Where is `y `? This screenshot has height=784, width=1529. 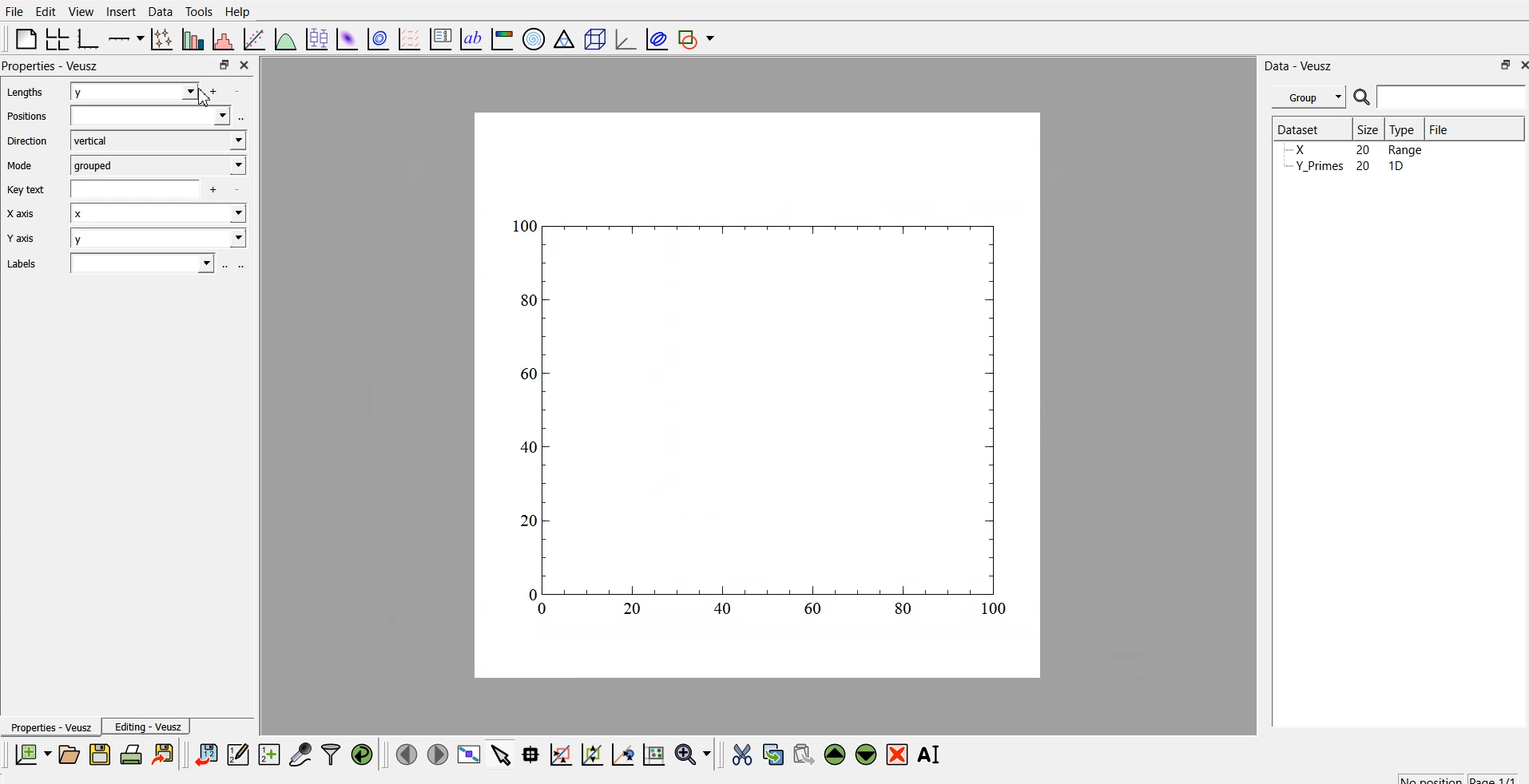
y  is located at coordinates (141, 93).